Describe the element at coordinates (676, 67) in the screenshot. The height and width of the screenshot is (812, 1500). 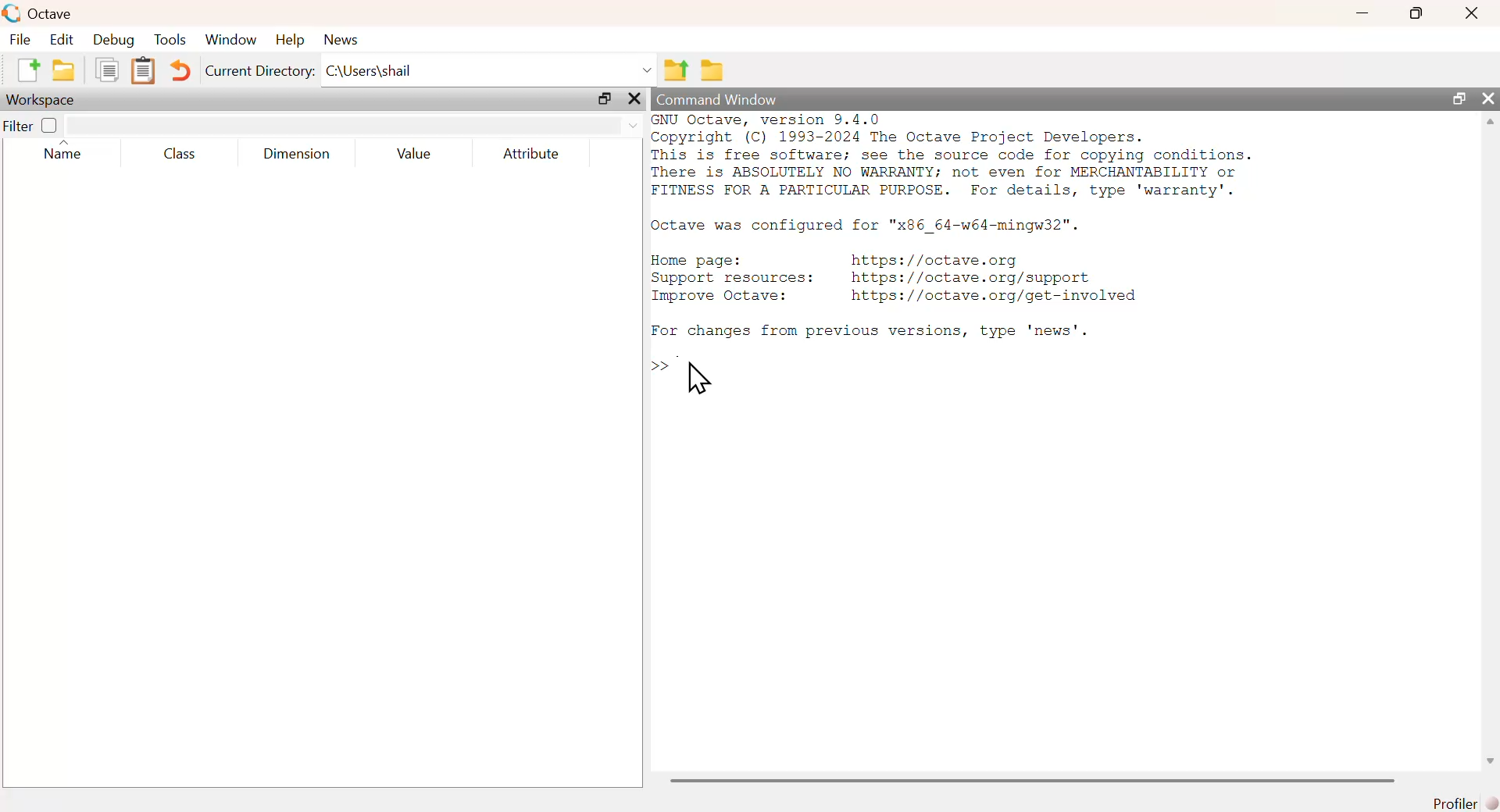
I see `one directory up` at that location.